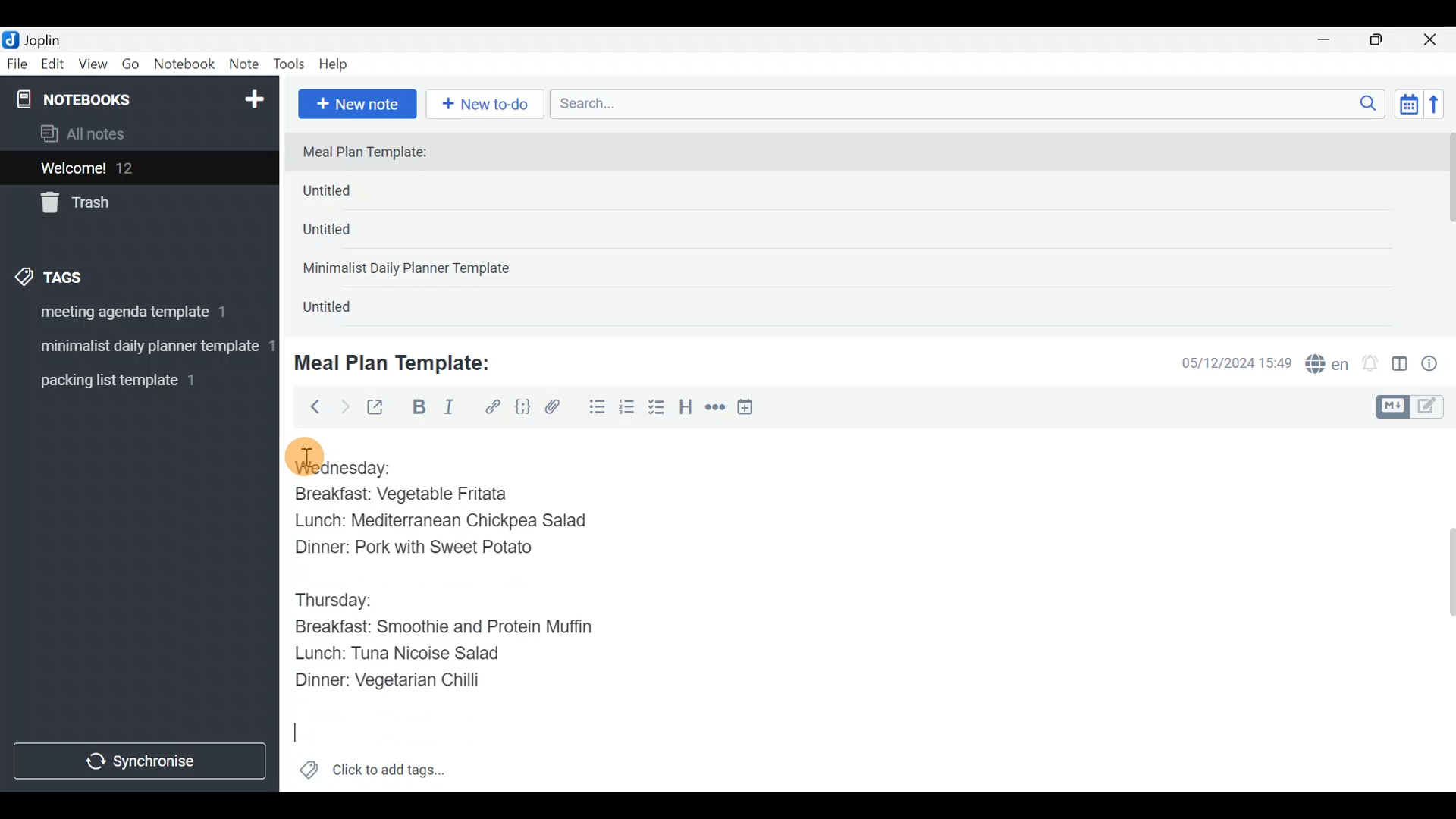 This screenshot has width=1456, height=819. Describe the element at coordinates (52, 38) in the screenshot. I see `Joplin` at that location.